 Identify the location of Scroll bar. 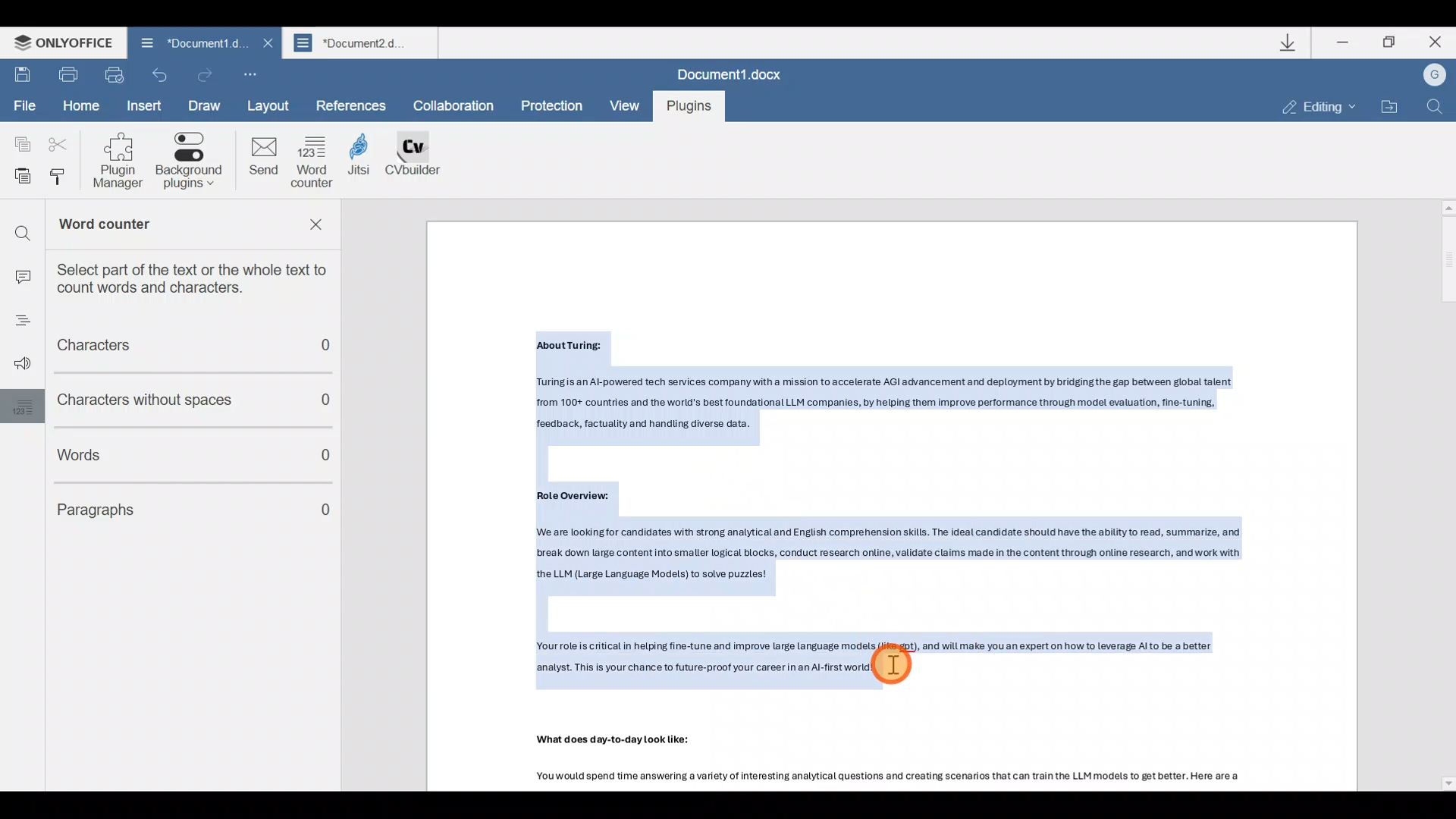
(1442, 494).